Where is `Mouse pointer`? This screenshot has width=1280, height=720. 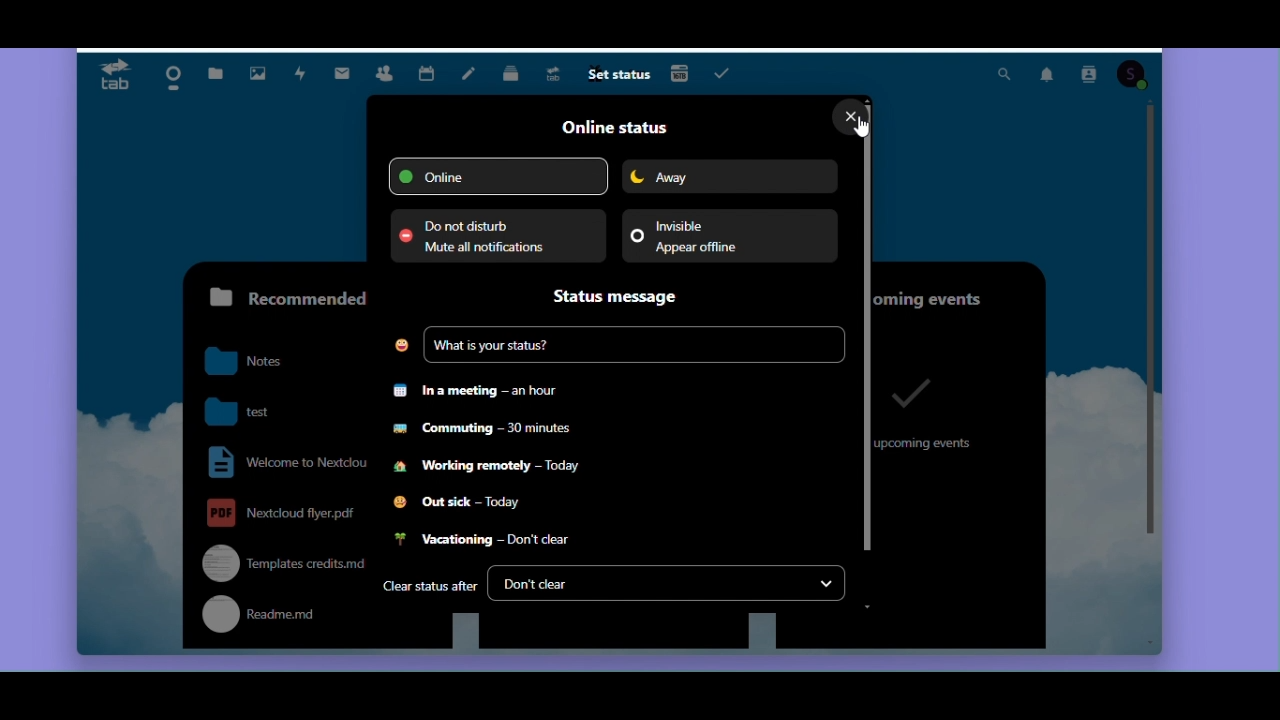
Mouse pointer is located at coordinates (865, 129).